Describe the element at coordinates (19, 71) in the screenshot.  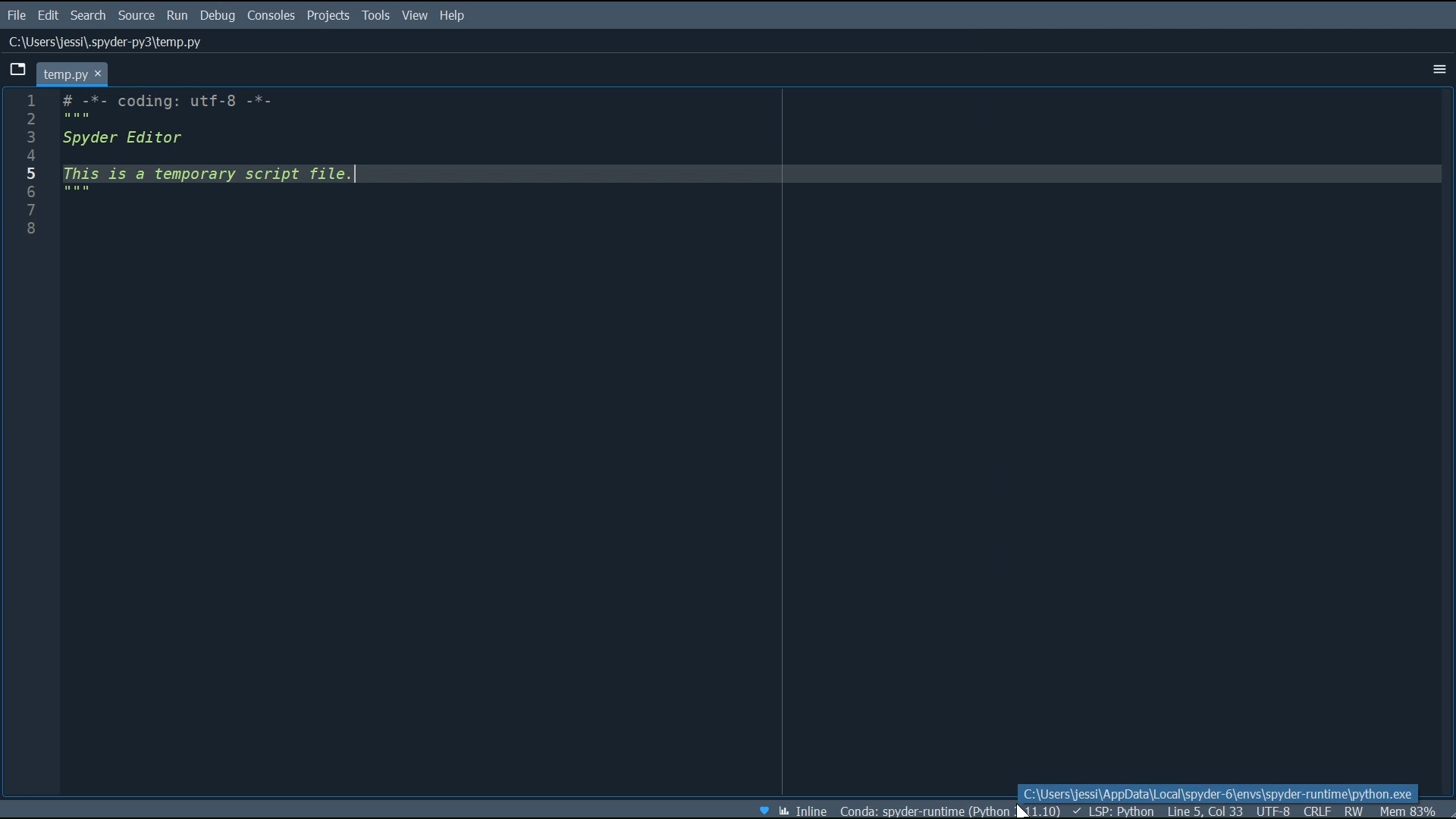
I see `Browse Tabs` at that location.